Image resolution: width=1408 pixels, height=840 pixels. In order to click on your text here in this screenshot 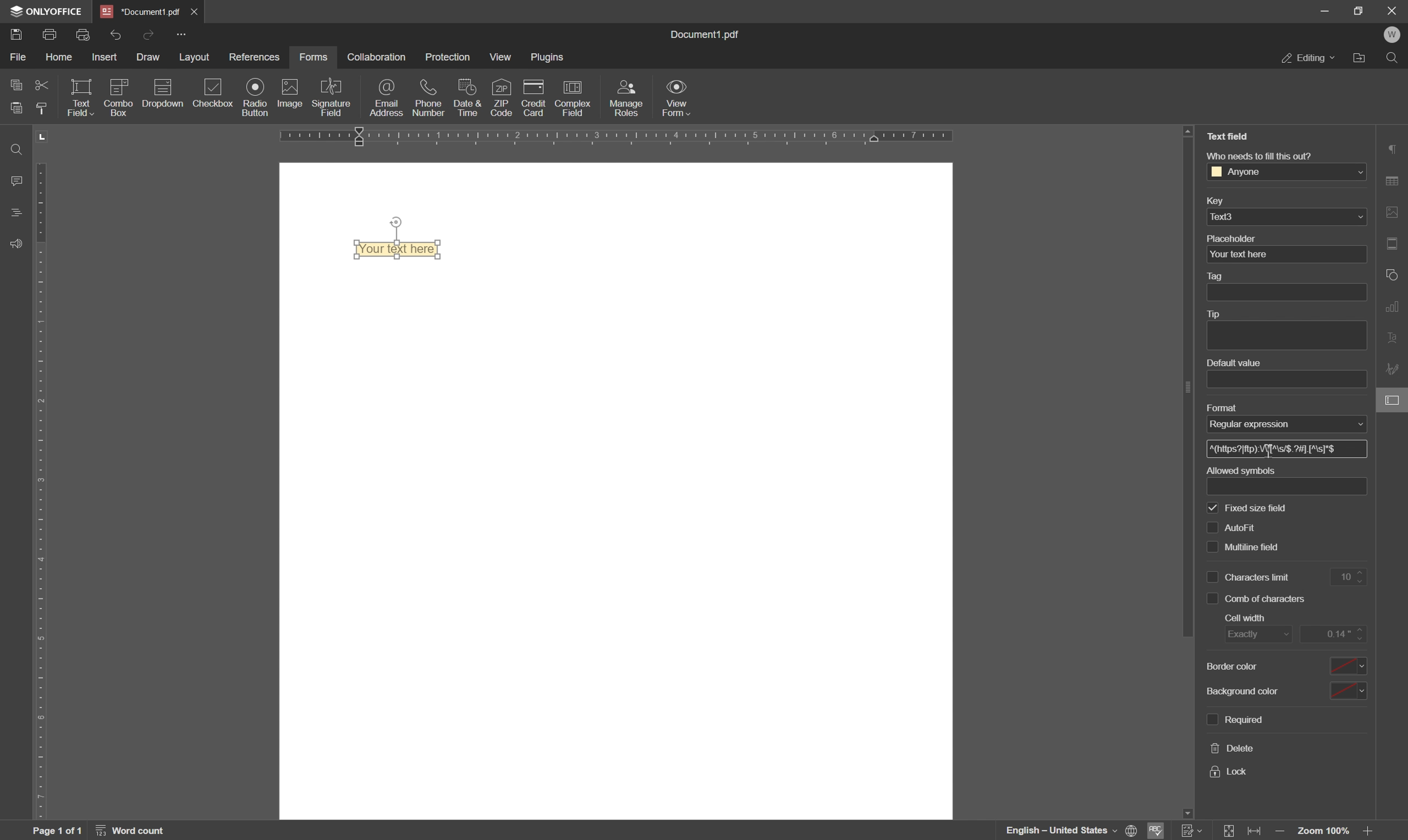, I will do `click(1238, 255)`.